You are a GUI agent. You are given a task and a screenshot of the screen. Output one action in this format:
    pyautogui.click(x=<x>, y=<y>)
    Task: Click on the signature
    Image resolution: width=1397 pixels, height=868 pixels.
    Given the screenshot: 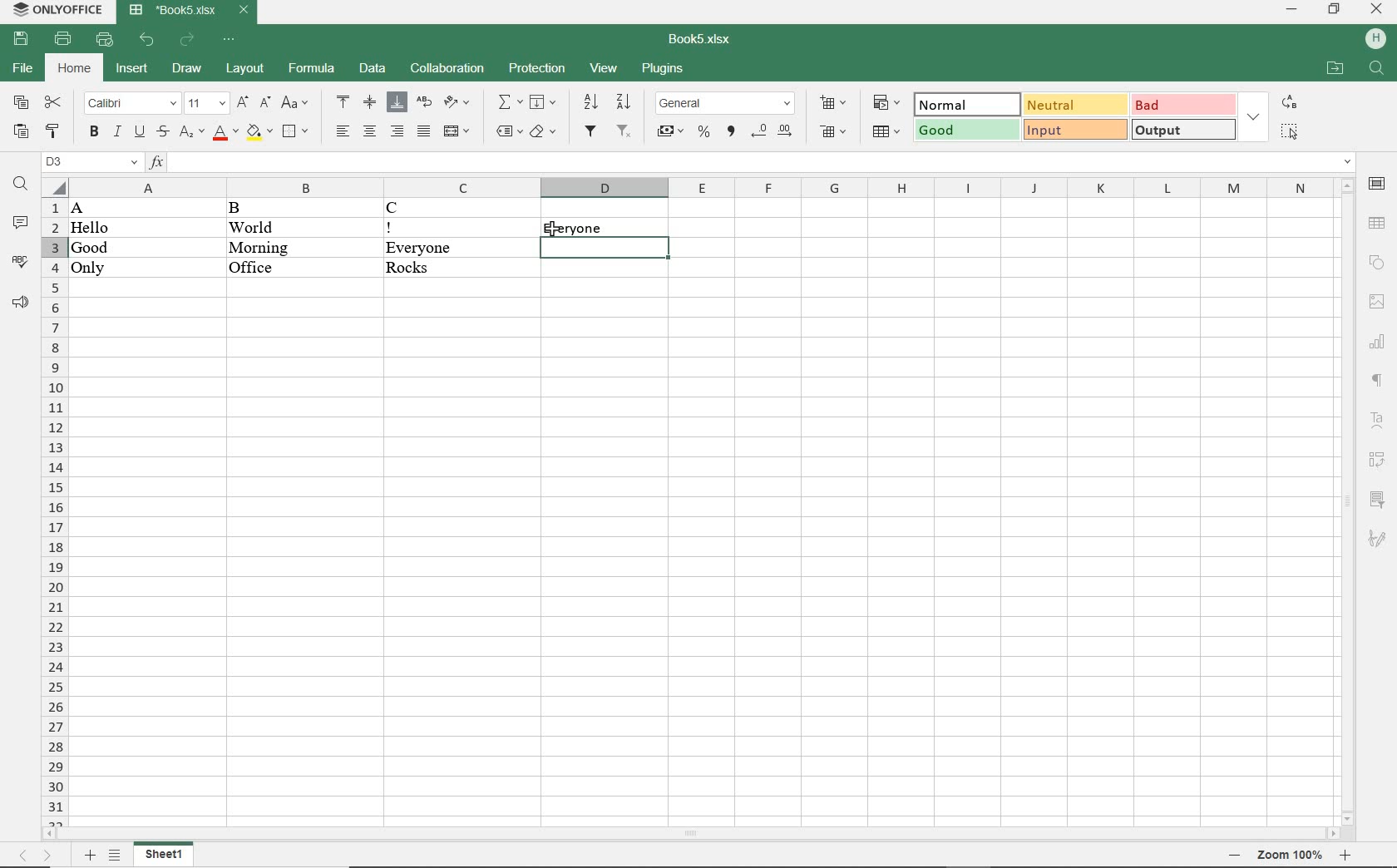 What is the action you would take?
    pyautogui.click(x=1379, y=535)
    